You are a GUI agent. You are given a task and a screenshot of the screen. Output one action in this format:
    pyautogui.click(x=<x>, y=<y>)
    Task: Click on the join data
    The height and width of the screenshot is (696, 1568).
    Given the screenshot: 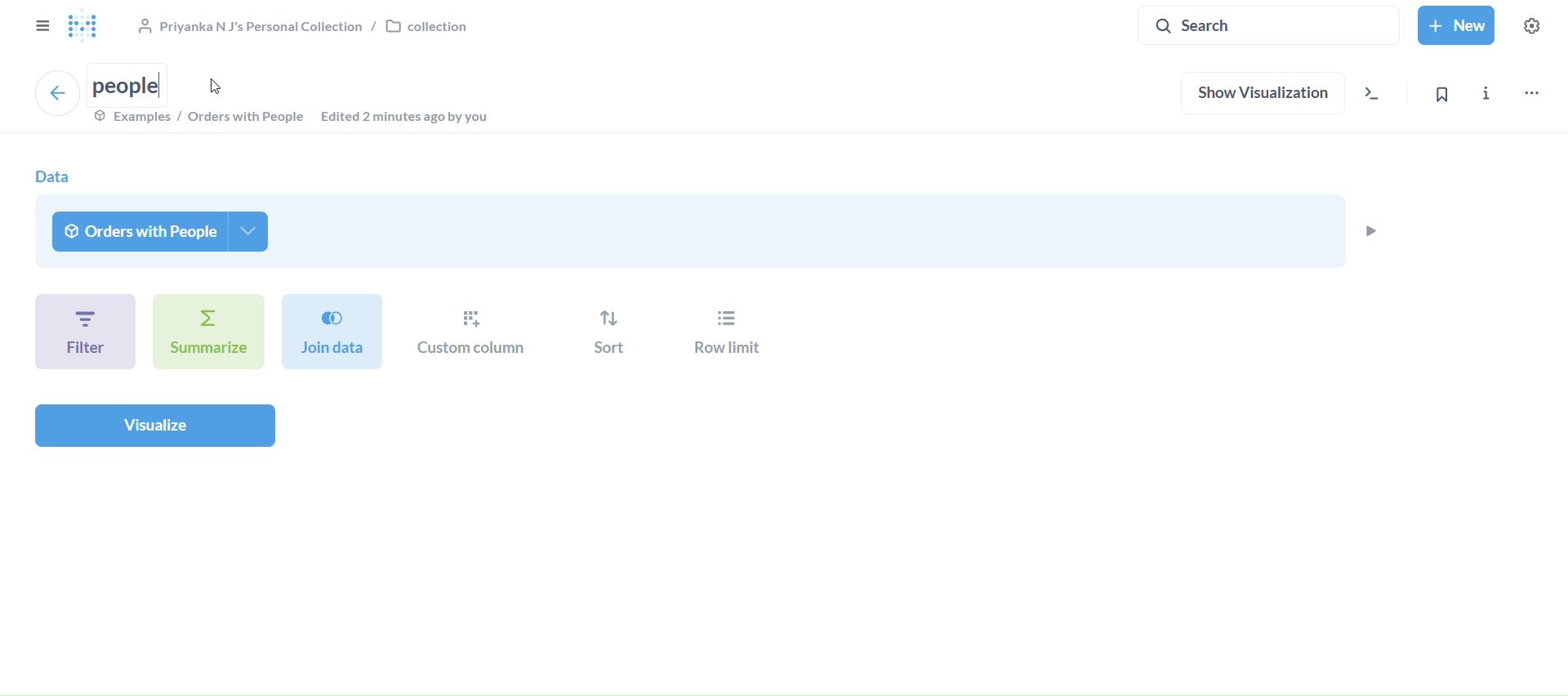 What is the action you would take?
    pyautogui.click(x=333, y=330)
    